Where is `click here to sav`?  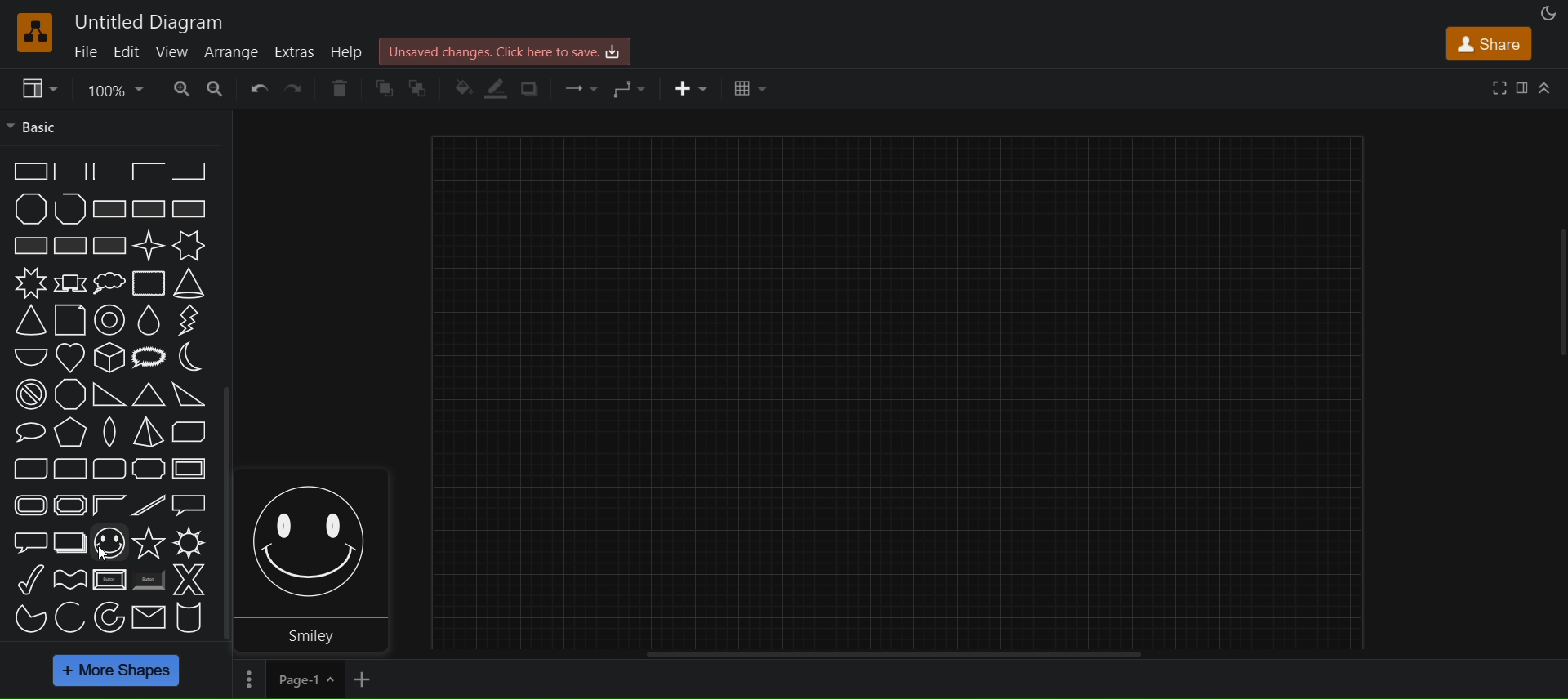
click here to sav is located at coordinates (502, 51).